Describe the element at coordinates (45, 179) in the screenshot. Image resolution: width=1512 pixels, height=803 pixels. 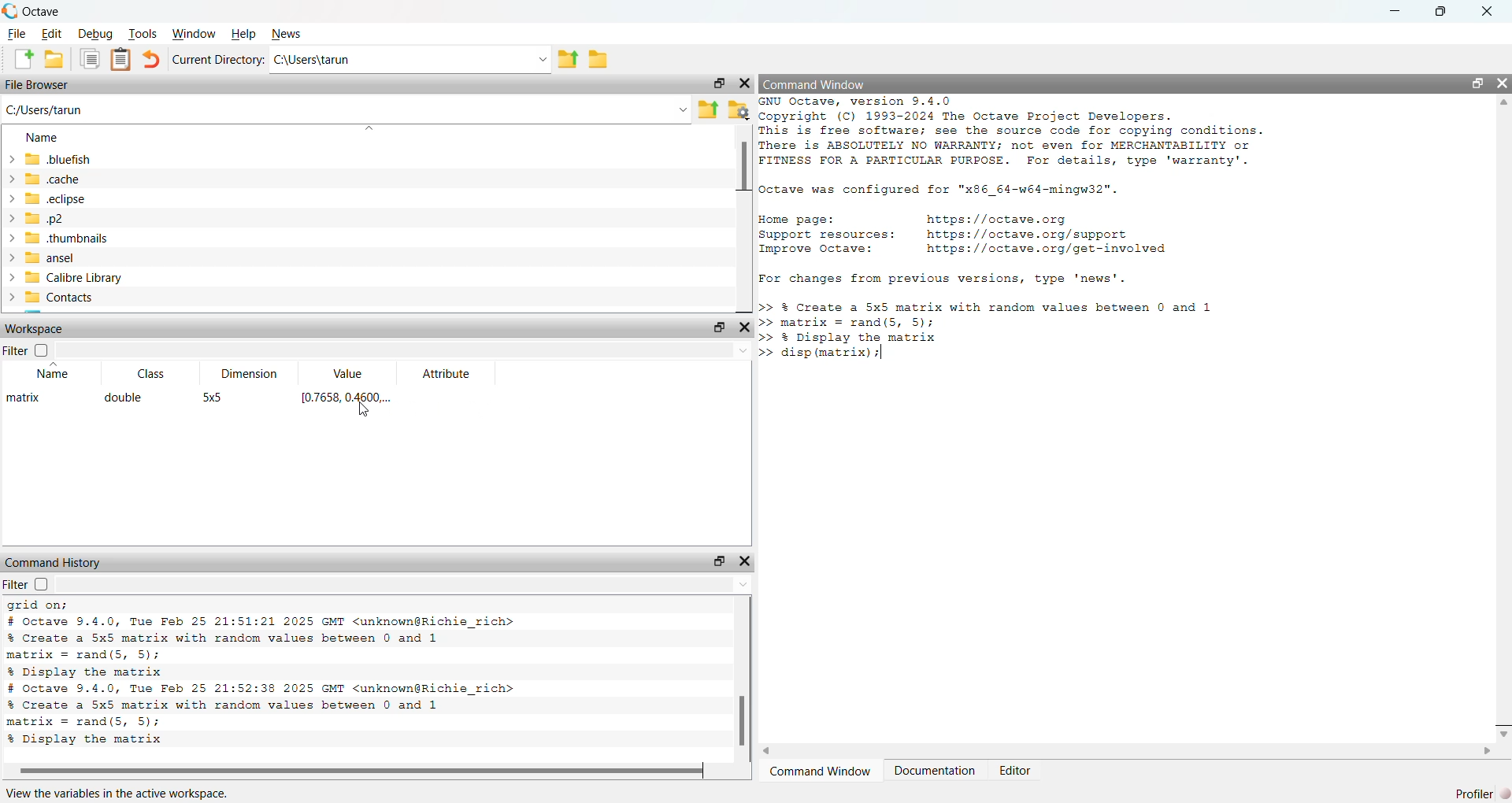
I see `cache` at that location.